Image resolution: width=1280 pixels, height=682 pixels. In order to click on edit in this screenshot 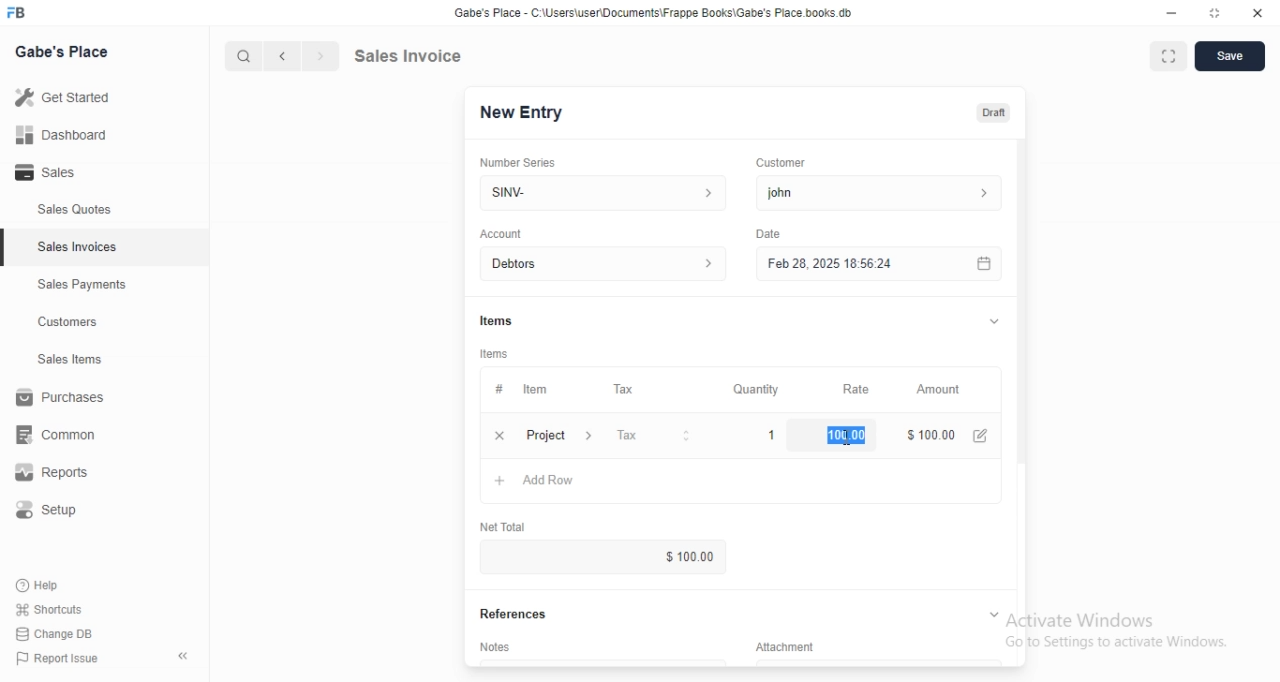, I will do `click(983, 435)`.